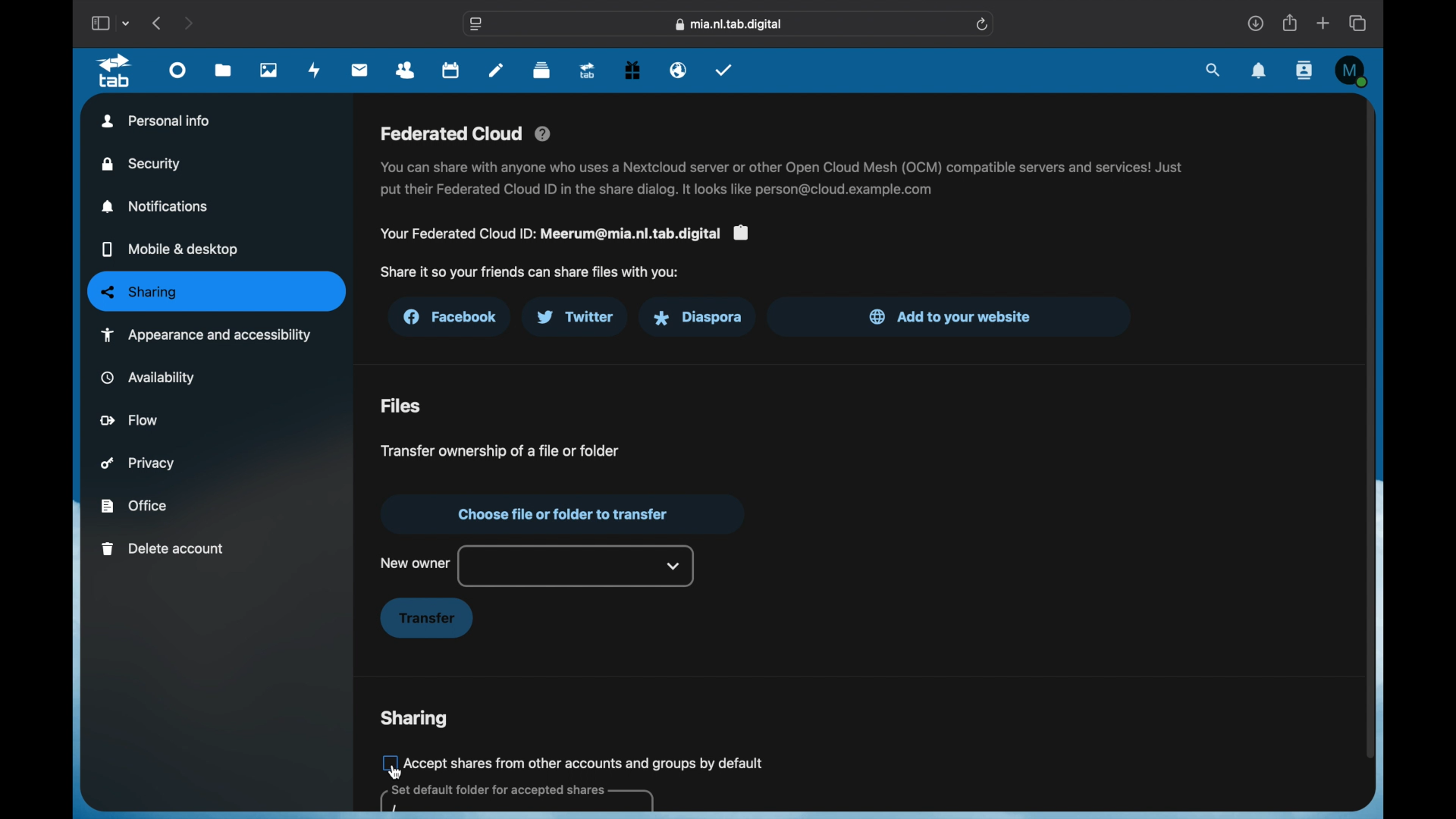 The width and height of the screenshot is (1456, 819). What do you see at coordinates (388, 762) in the screenshot?
I see `Unchecked checkbox` at bounding box center [388, 762].